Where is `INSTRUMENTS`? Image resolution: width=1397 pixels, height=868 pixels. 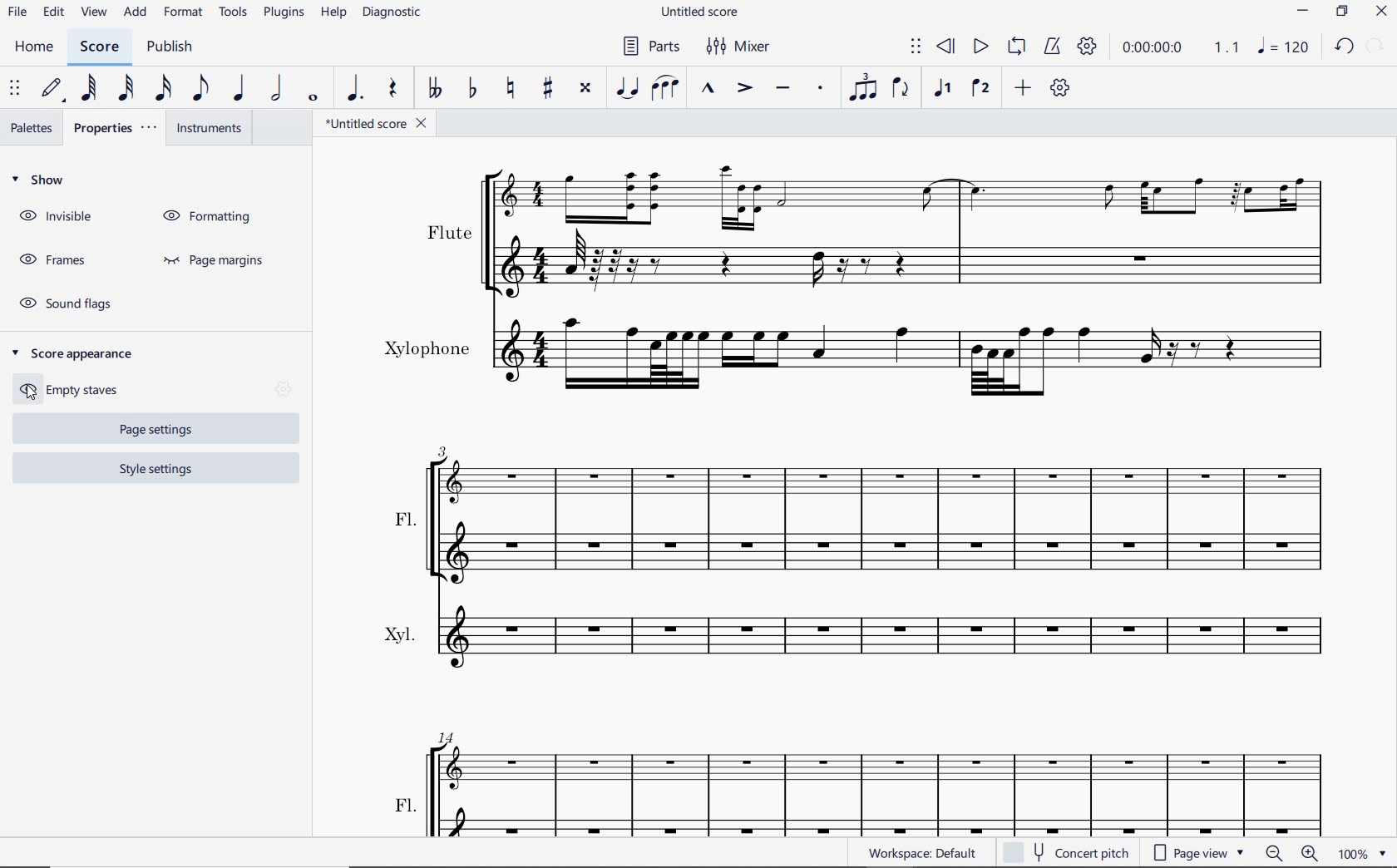
INSTRUMENTS is located at coordinates (209, 129).